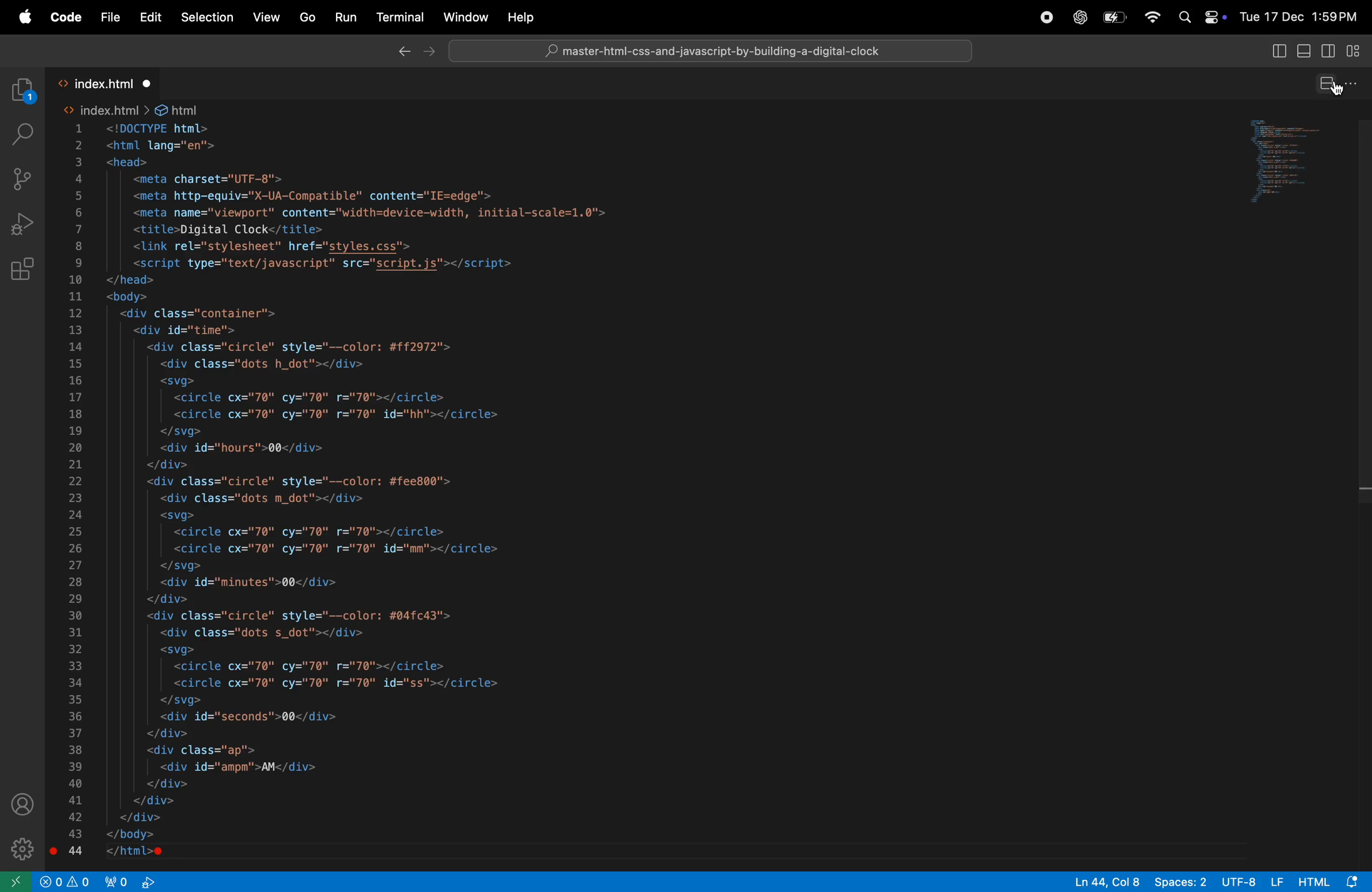 The image size is (1372, 892). I want to click on no problems, so click(65, 881).